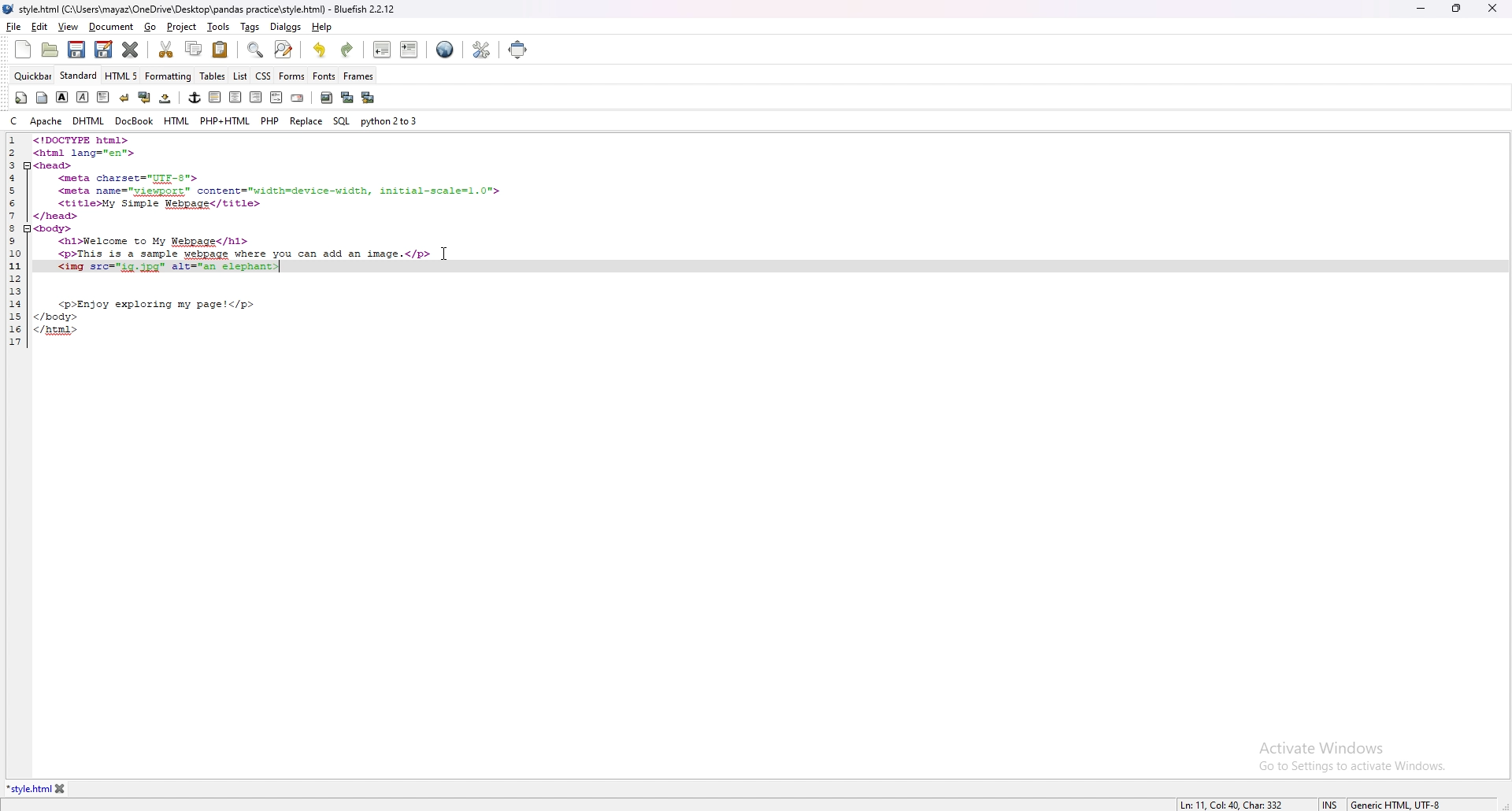 This screenshot has width=1512, height=811. What do you see at coordinates (520, 49) in the screenshot?
I see `full screen` at bounding box center [520, 49].